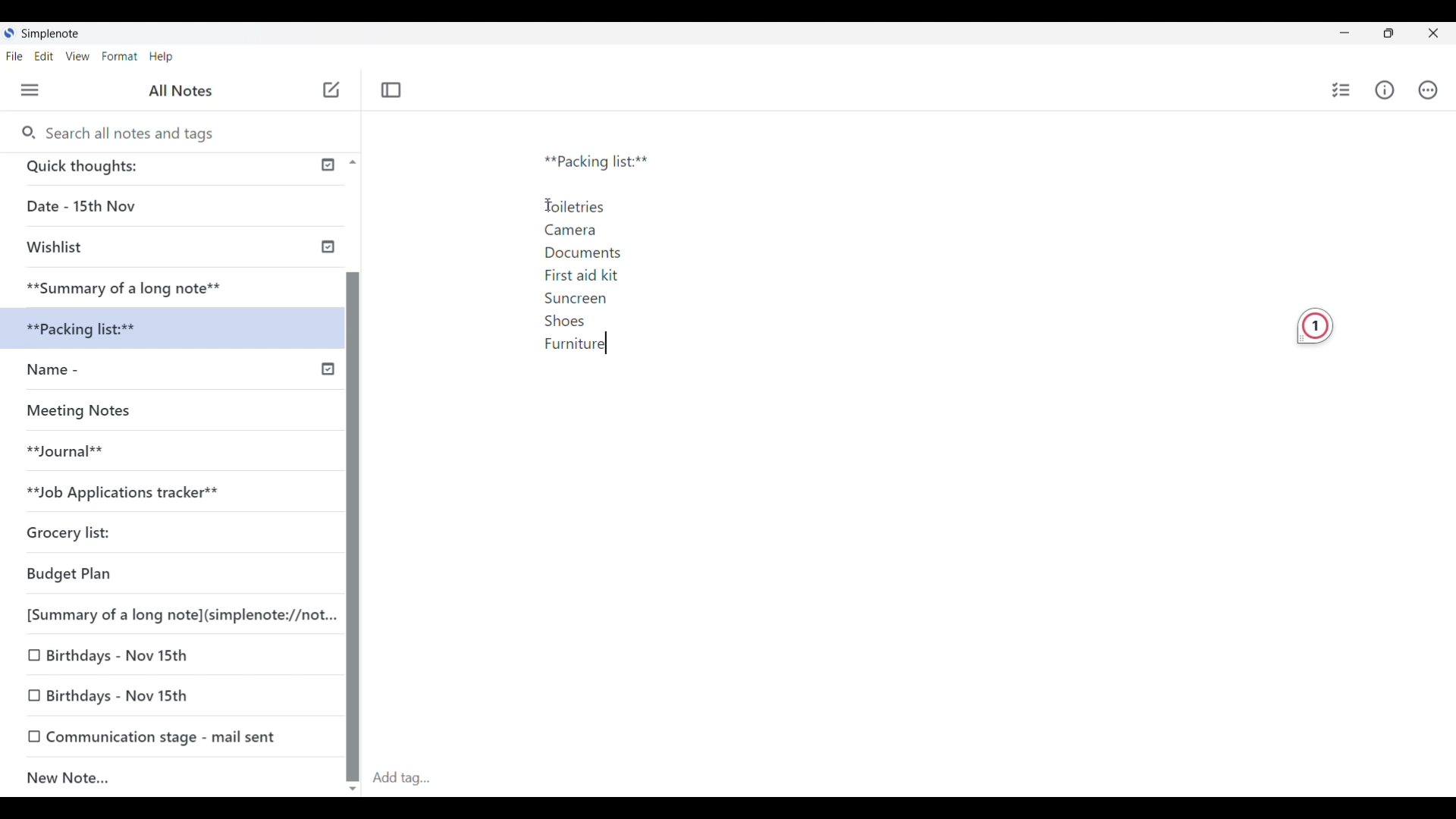 The image size is (1456, 819). Describe the element at coordinates (391, 89) in the screenshot. I see `Toggle focus mode` at that location.